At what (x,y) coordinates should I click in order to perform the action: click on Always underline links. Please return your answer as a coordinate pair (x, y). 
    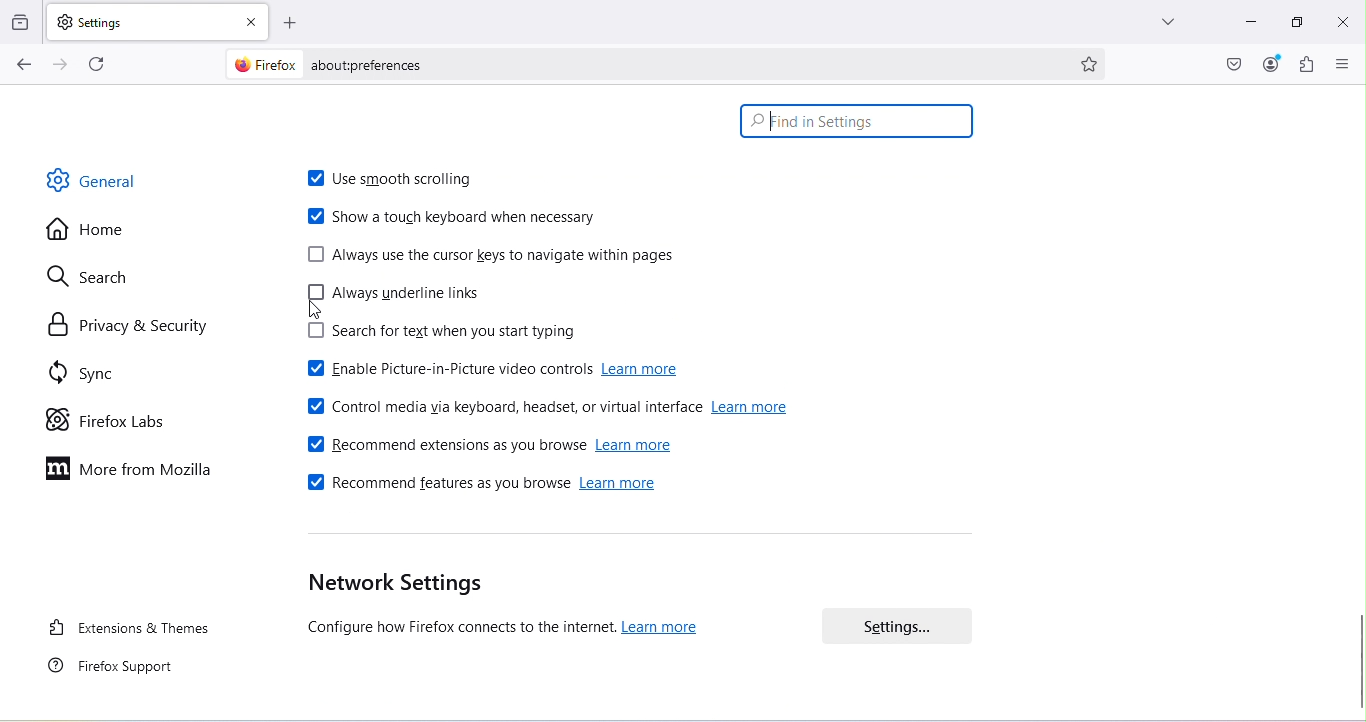
    Looking at the image, I should click on (386, 296).